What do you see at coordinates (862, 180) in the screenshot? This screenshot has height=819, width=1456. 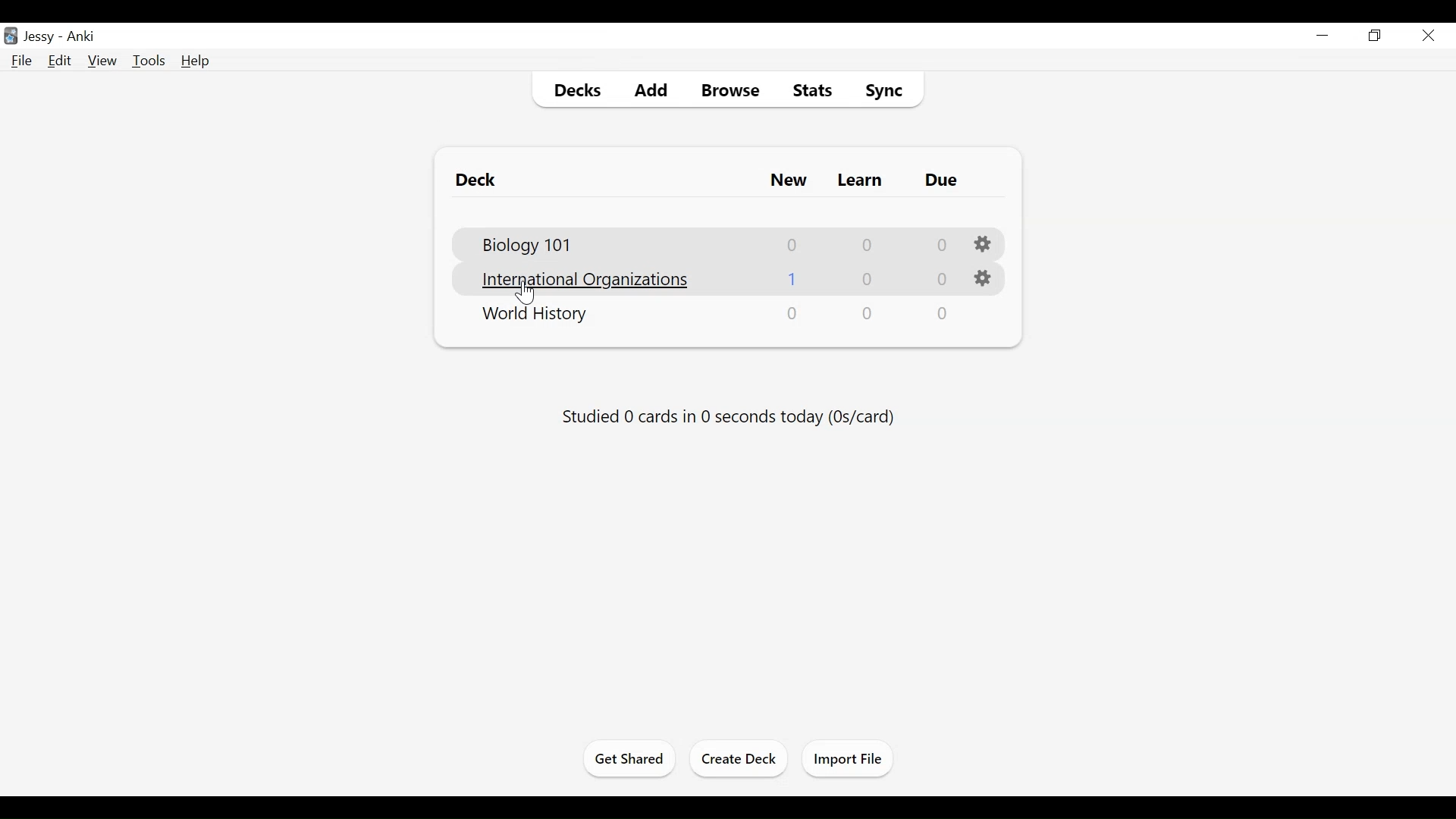 I see `Learn` at bounding box center [862, 180].